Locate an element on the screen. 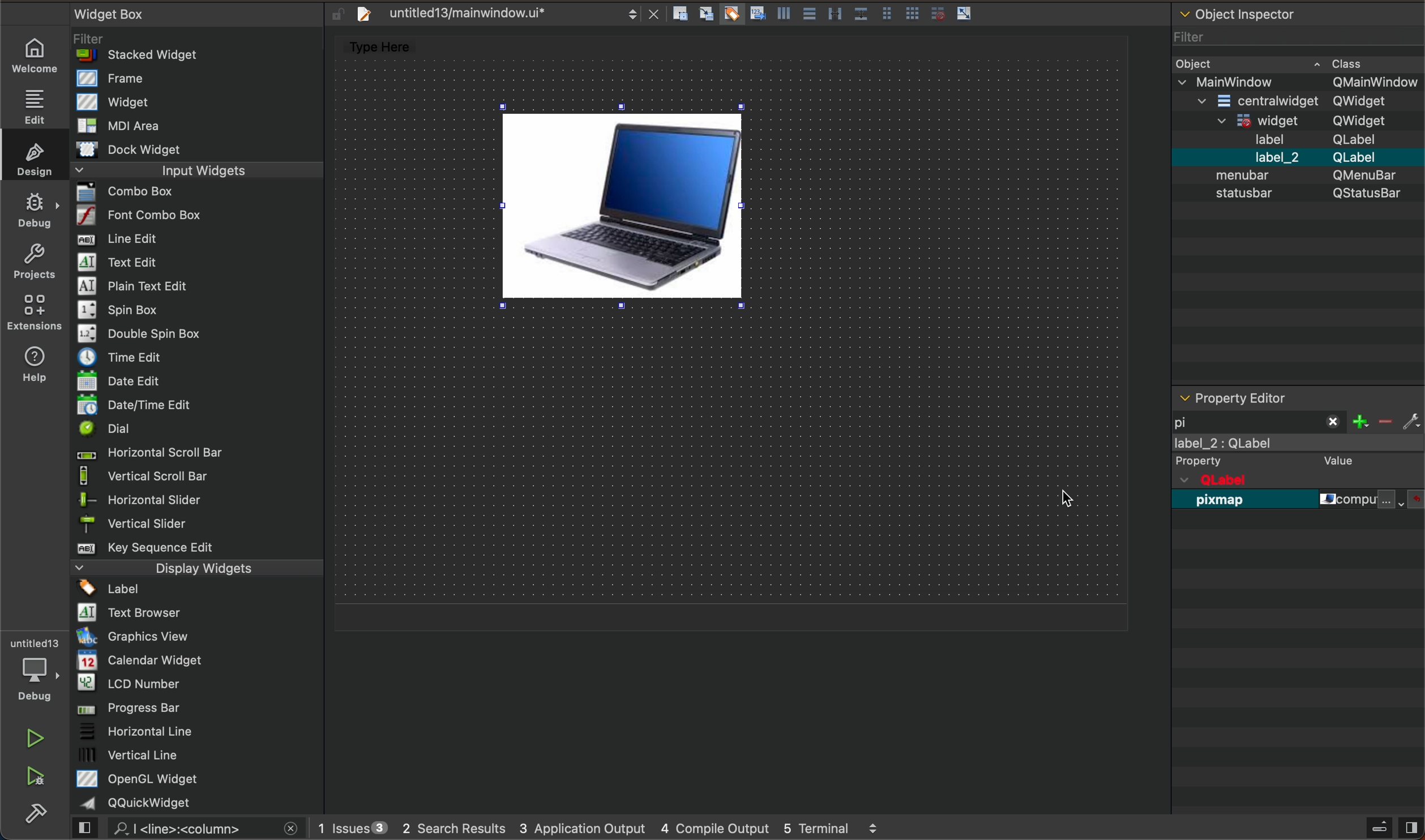 The width and height of the screenshot is (1425, 840). label is located at coordinates (1300, 454).